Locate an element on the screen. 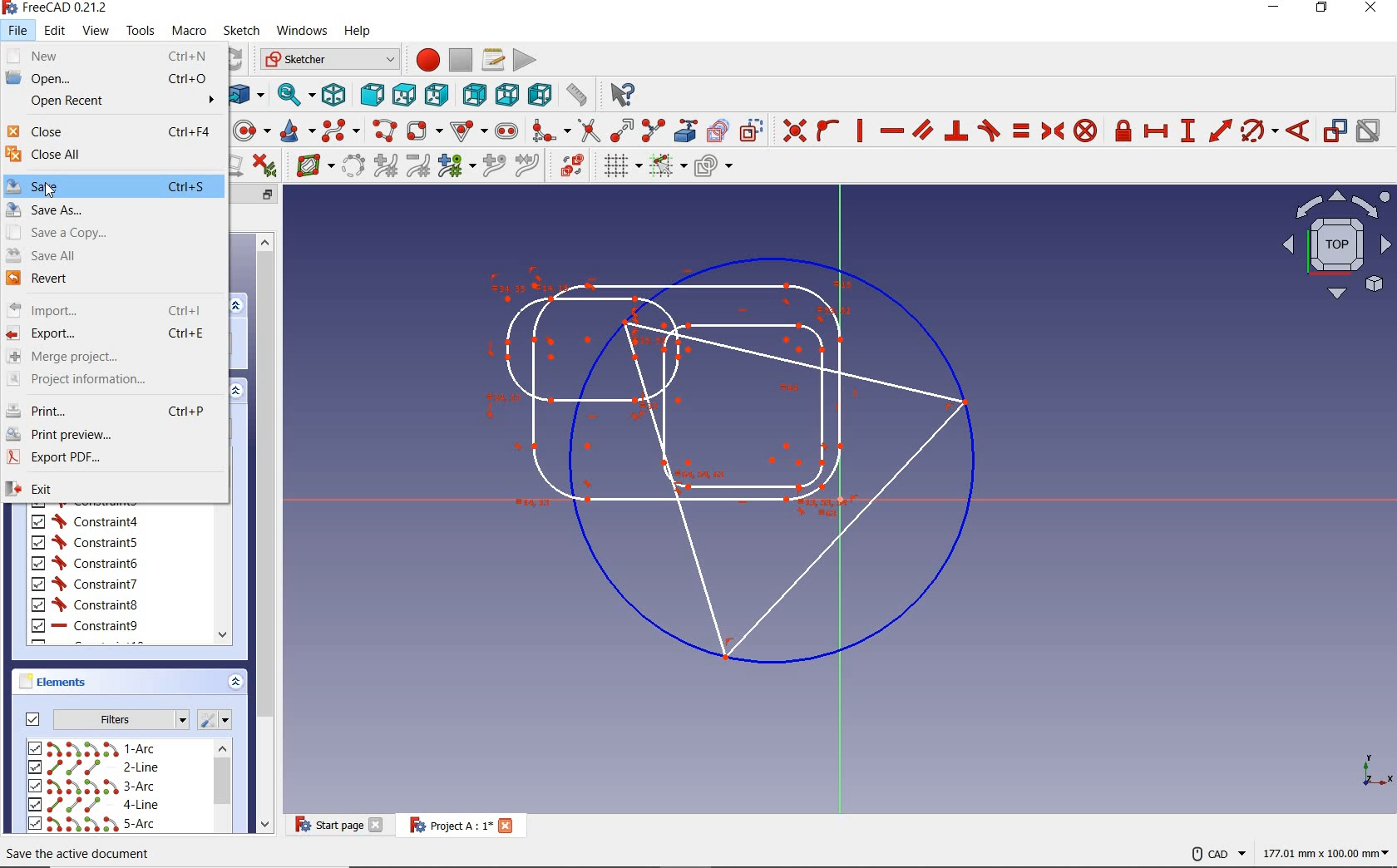  edit is located at coordinates (53, 32).